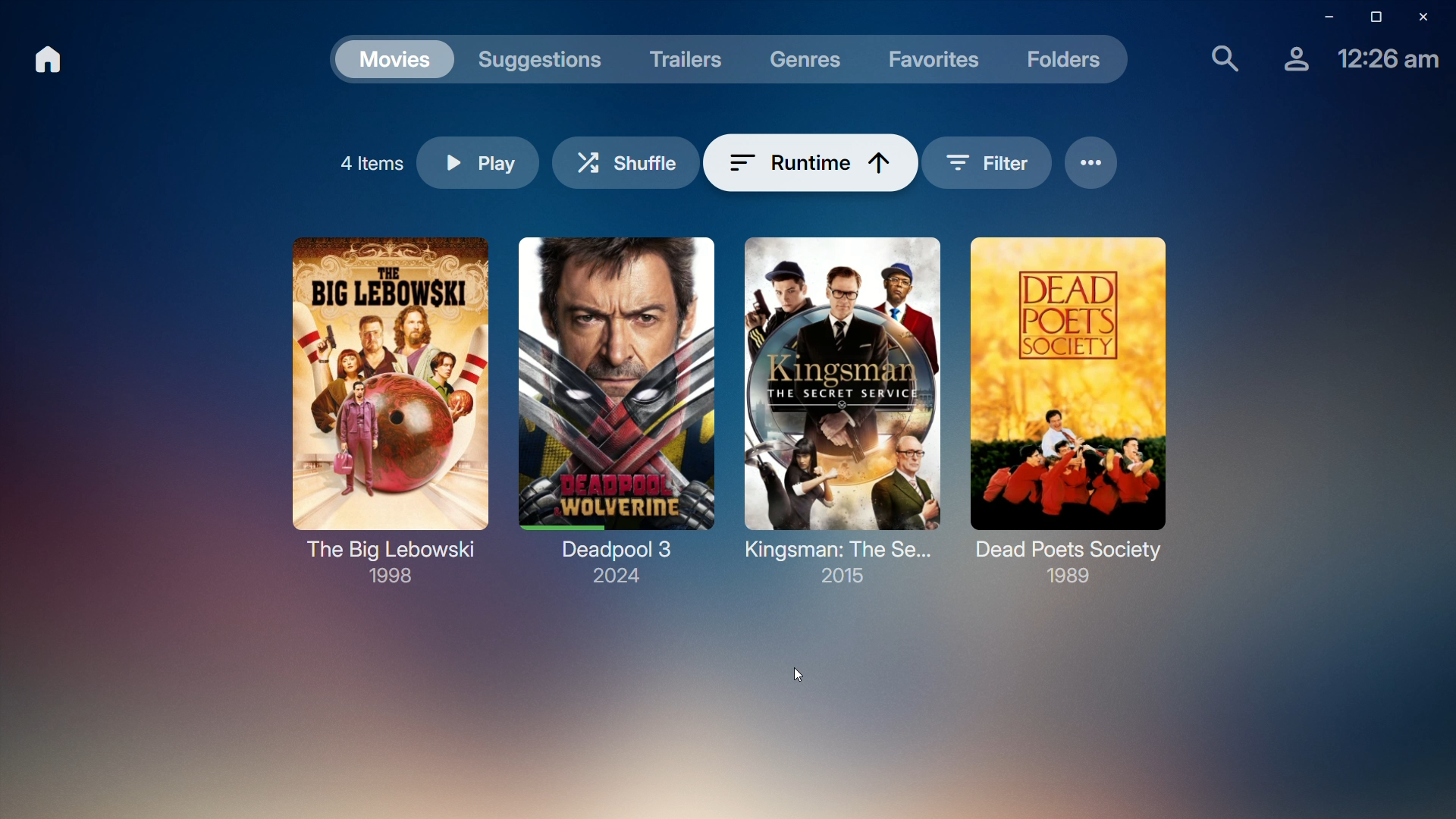 Image resolution: width=1456 pixels, height=819 pixels. Describe the element at coordinates (1320, 17) in the screenshot. I see `Minimize` at that location.